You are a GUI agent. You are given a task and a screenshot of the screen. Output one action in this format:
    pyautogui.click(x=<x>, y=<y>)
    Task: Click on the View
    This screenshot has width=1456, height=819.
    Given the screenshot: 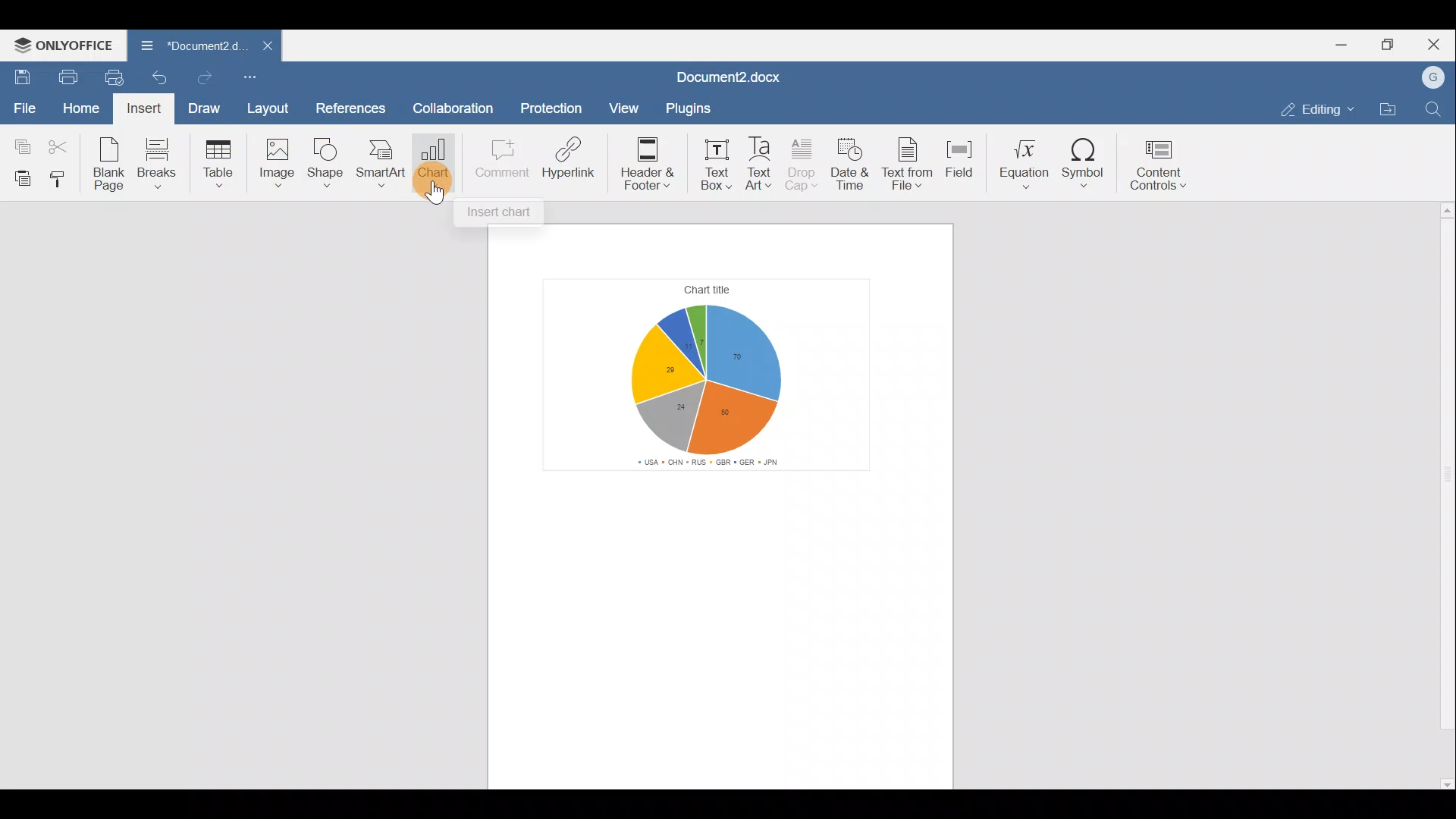 What is the action you would take?
    pyautogui.click(x=619, y=109)
    